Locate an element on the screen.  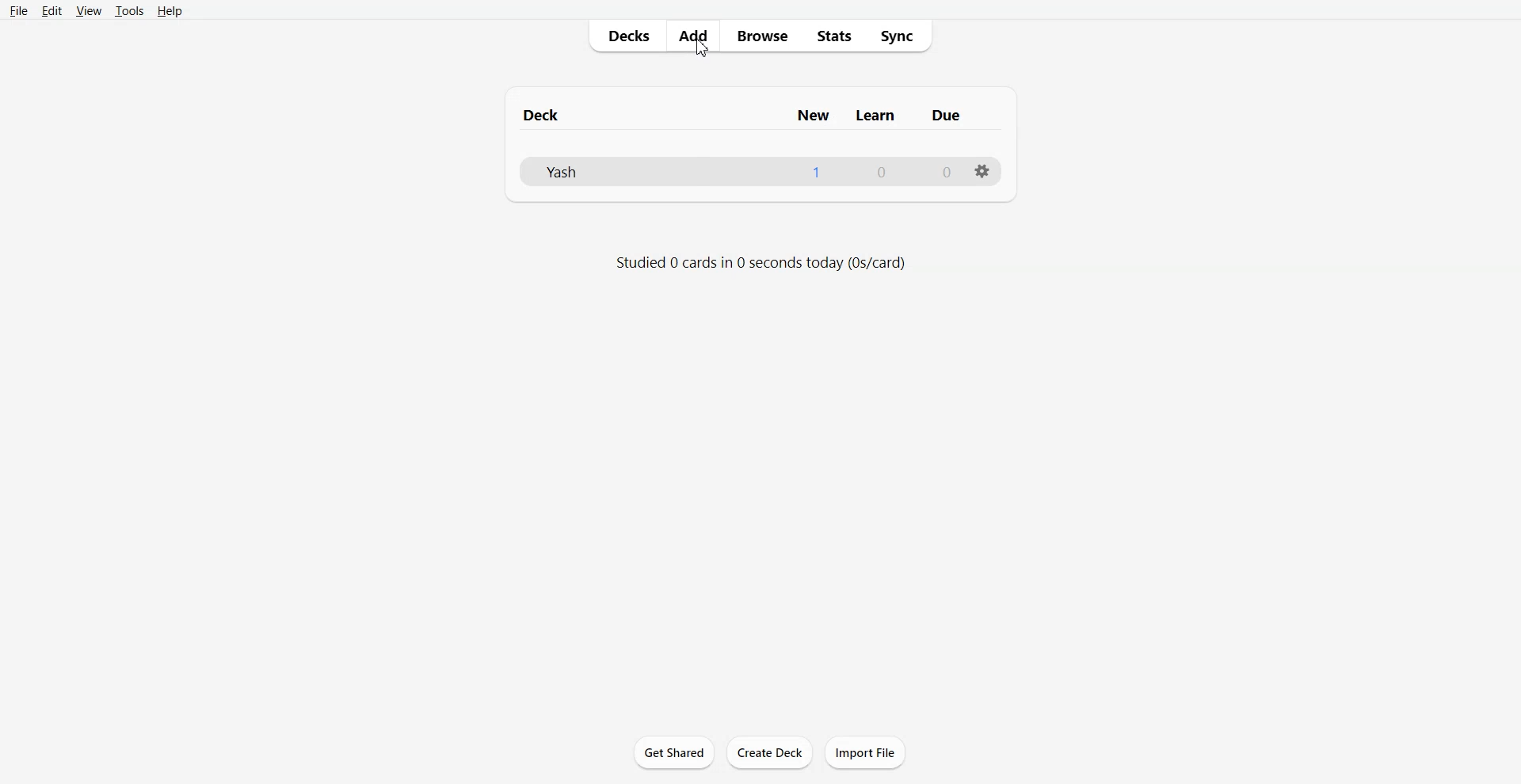
Deck  is located at coordinates (644, 113).